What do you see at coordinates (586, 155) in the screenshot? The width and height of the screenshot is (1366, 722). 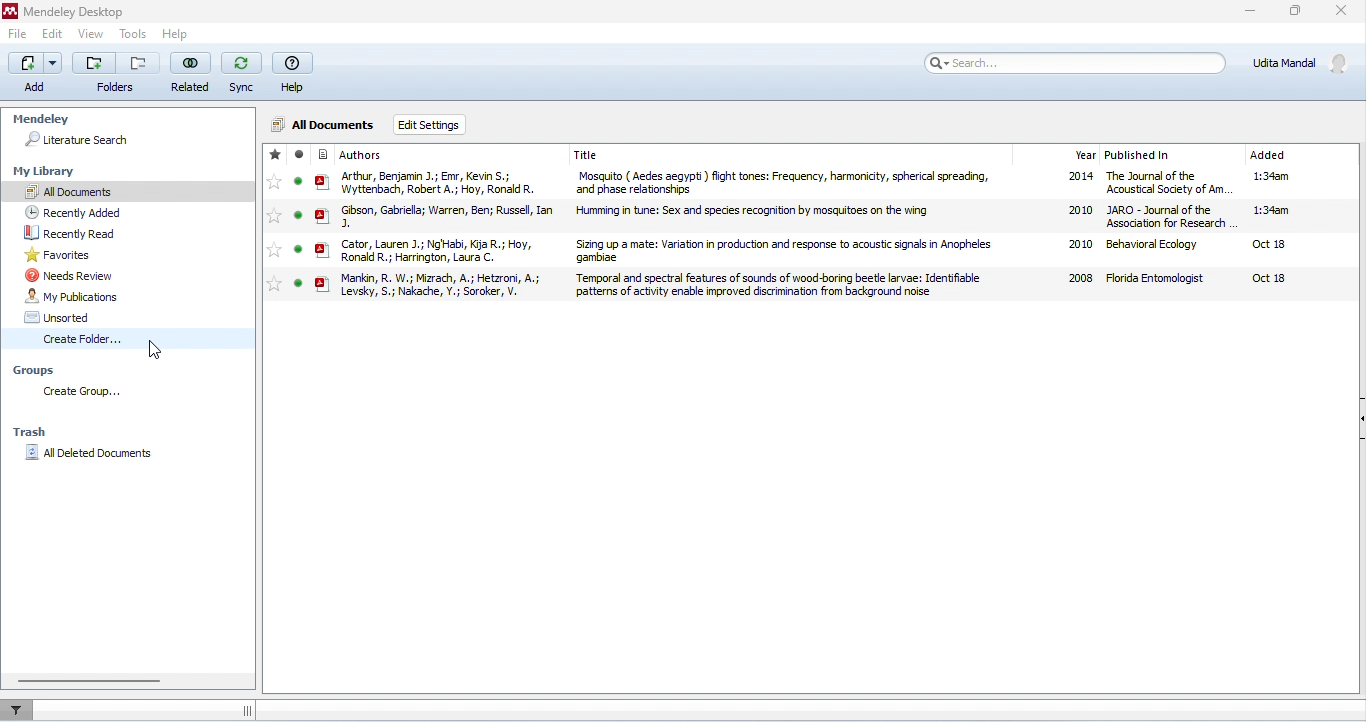 I see `title` at bounding box center [586, 155].